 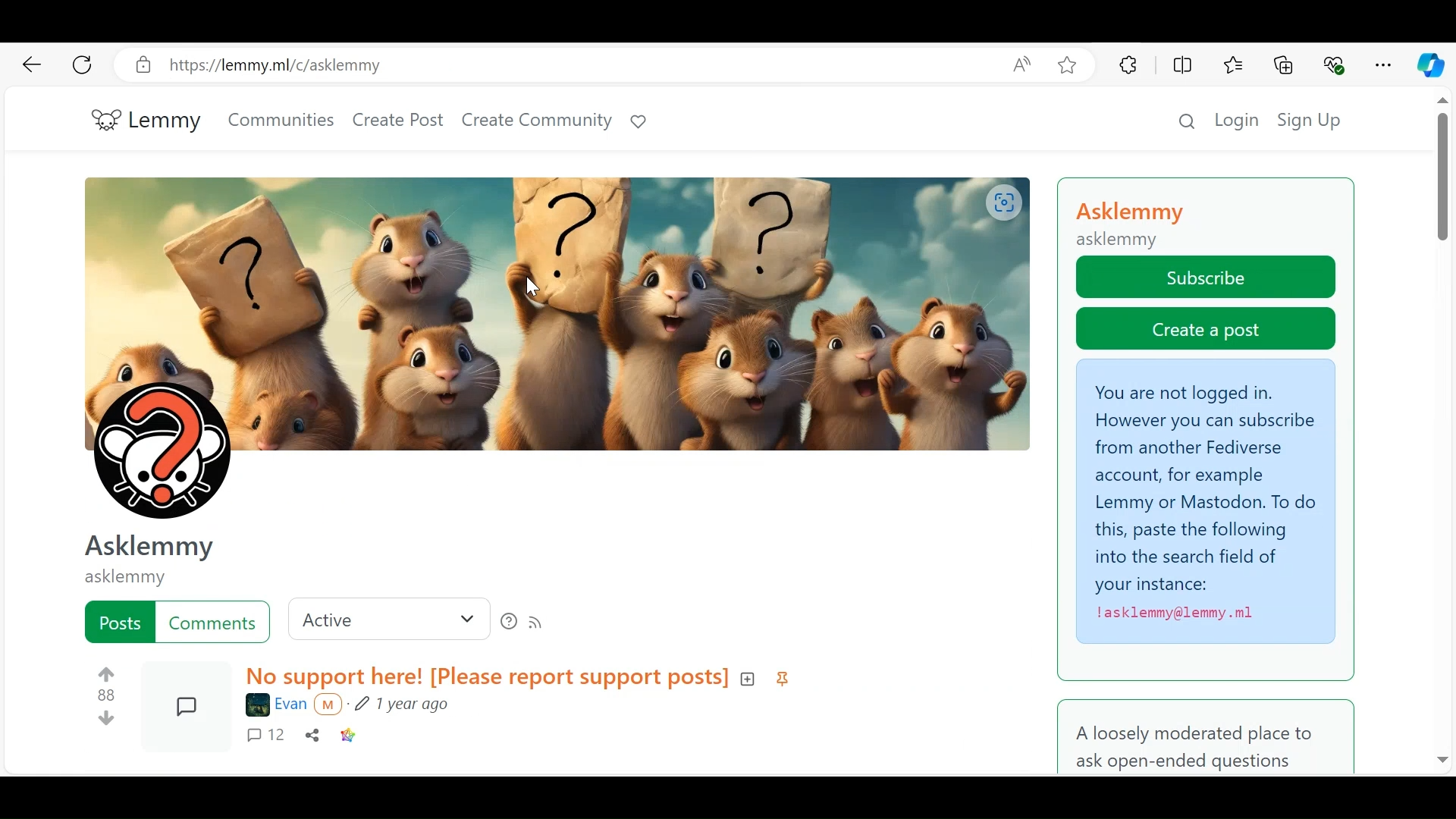 What do you see at coordinates (110, 694) in the screenshot?
I see `Upvotes and downvotes` at bounding box center [110, 694].